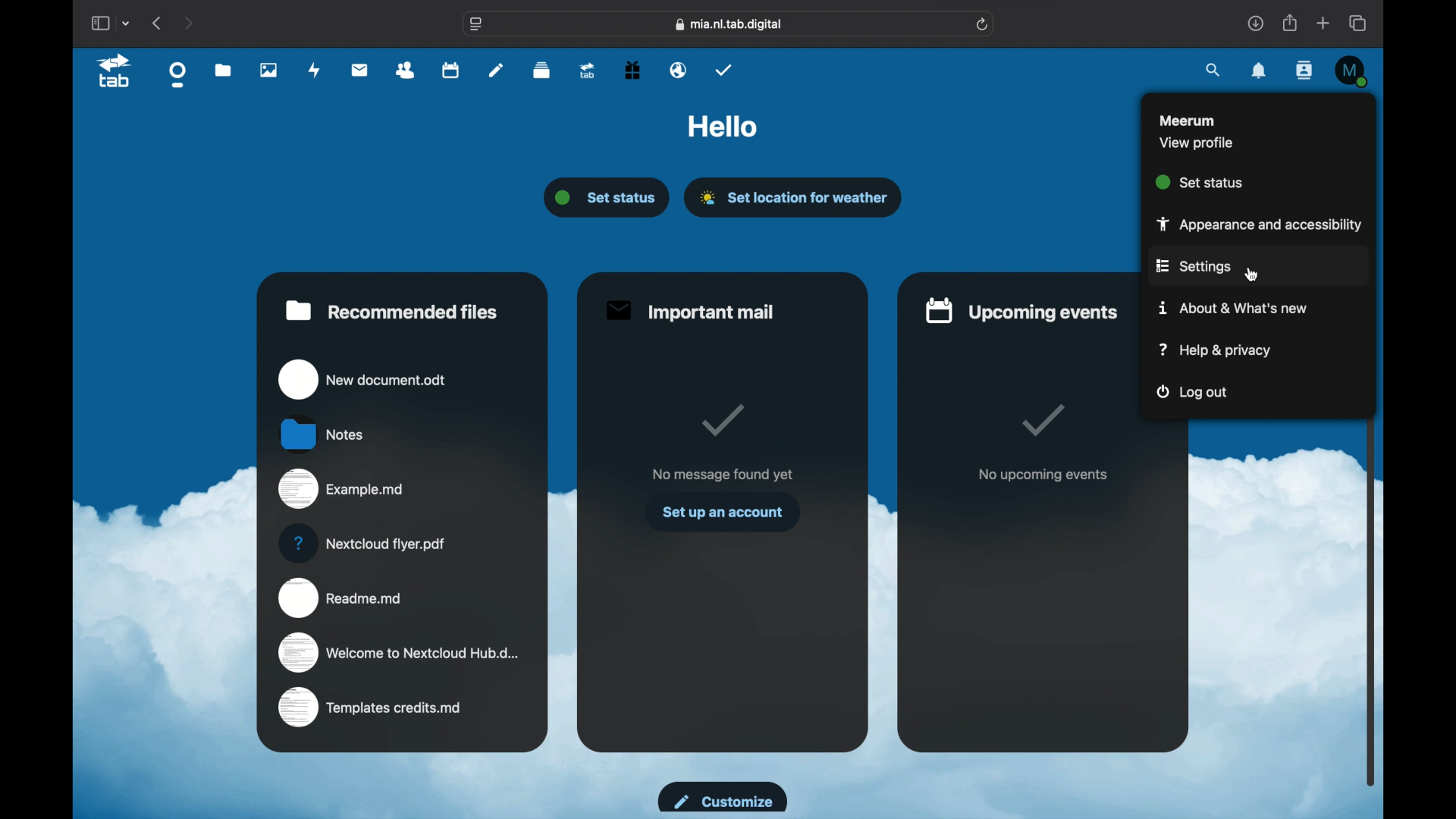 This screenshot has width=1456, height=819. I want to click on free trial, so click(632, 71).